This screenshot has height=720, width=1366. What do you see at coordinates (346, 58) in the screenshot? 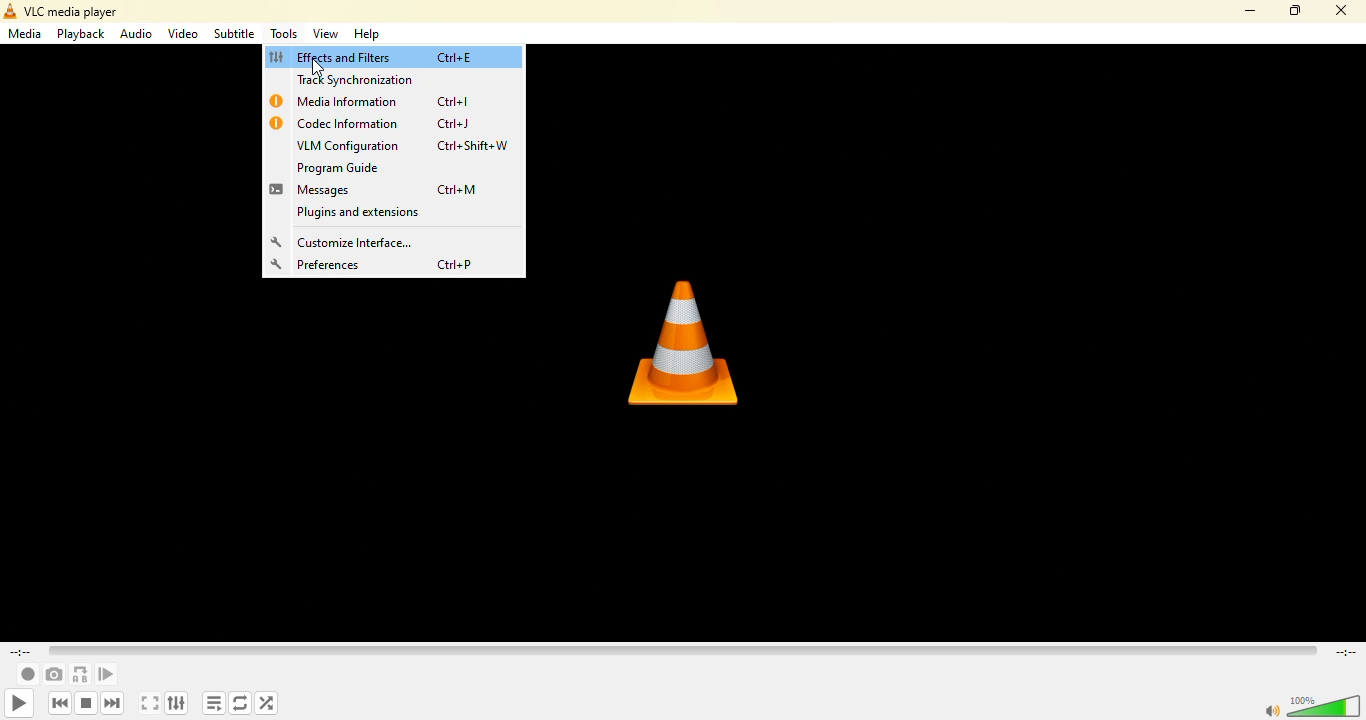
I see `effects and filters` at bounding box center [346, 58].